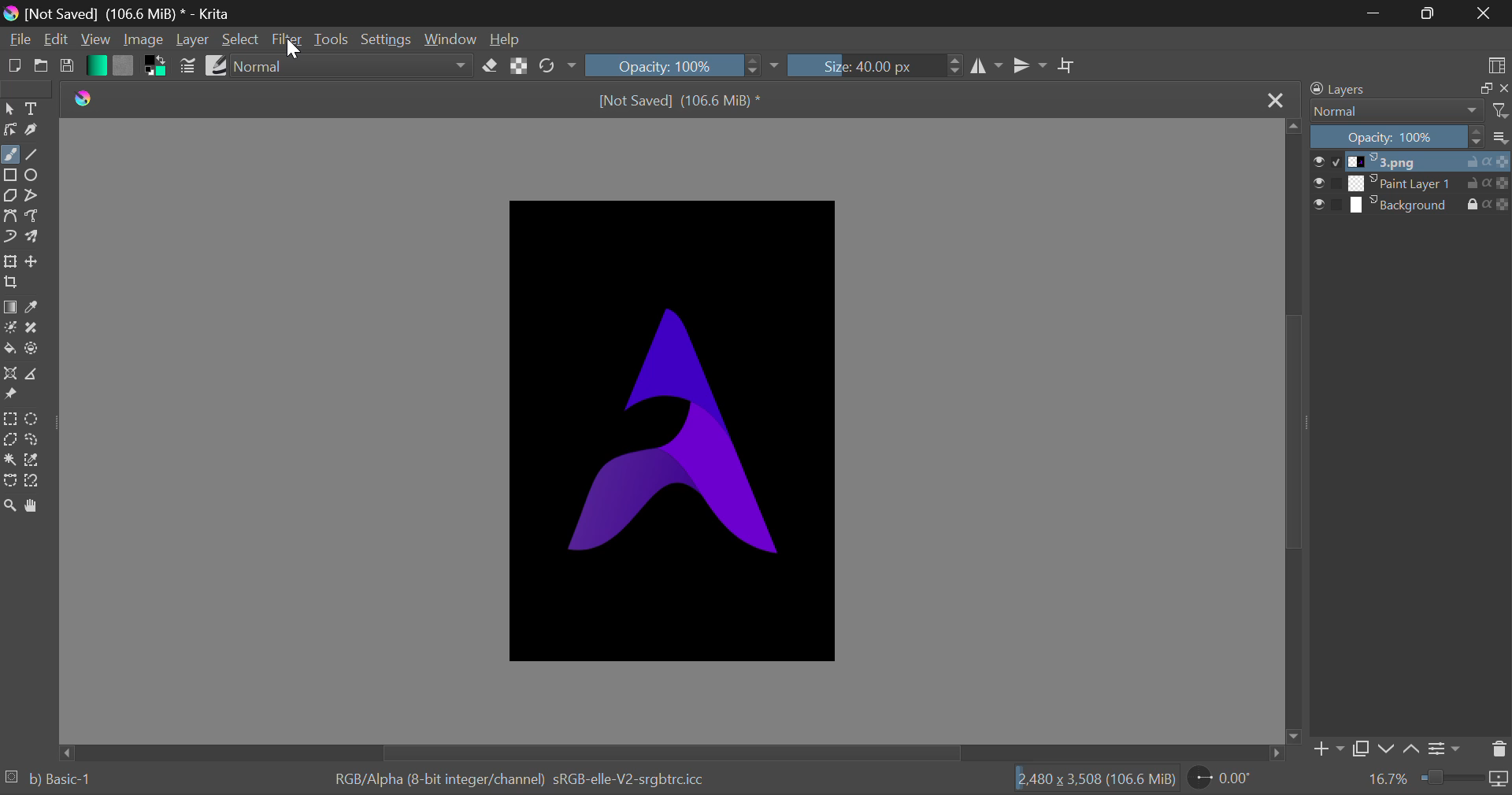 The height and width of the screenshot is (795, 1512). What do you see at coordinates (450, 39) in the screenshot?
I see `Window` at bounding box center [450, 39].